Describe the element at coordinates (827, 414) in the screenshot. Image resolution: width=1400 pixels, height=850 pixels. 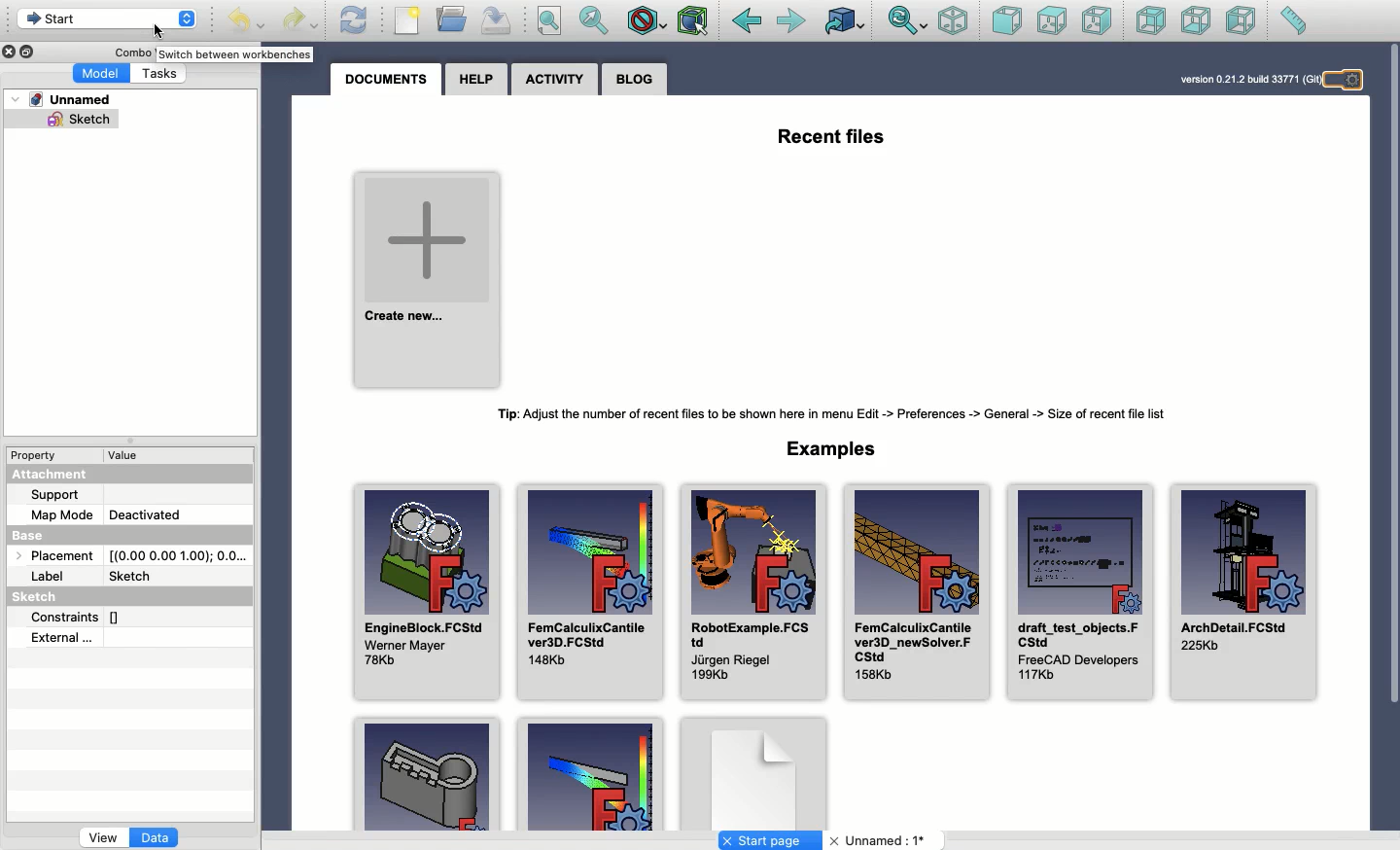
I see `Tip: Adjust the number of recent files to be shown here in menu Edit -> Preferences -> General -> Size of recent file list` at that location.